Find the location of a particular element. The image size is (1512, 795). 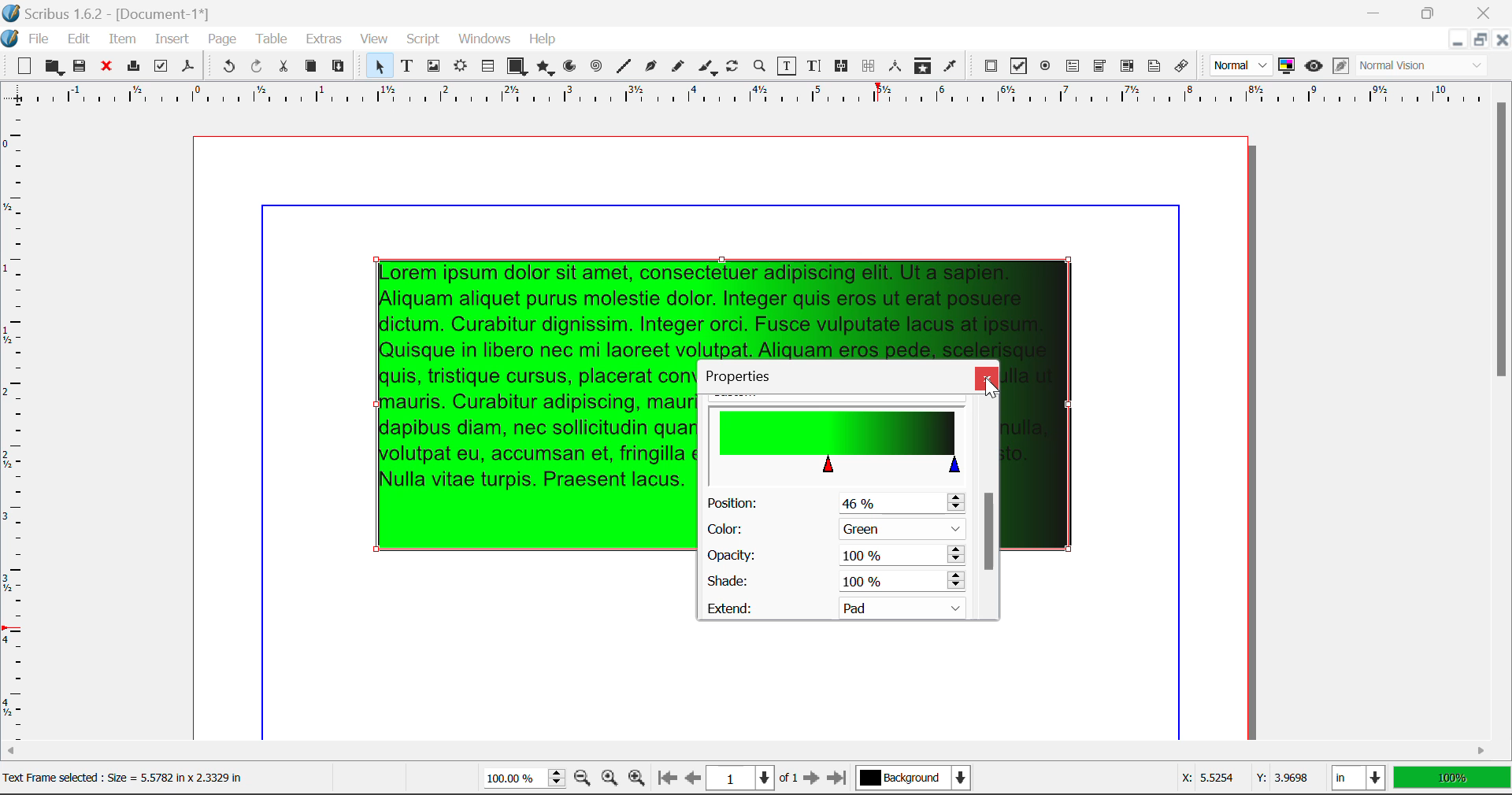

Print is located at coordinates (132, 66).